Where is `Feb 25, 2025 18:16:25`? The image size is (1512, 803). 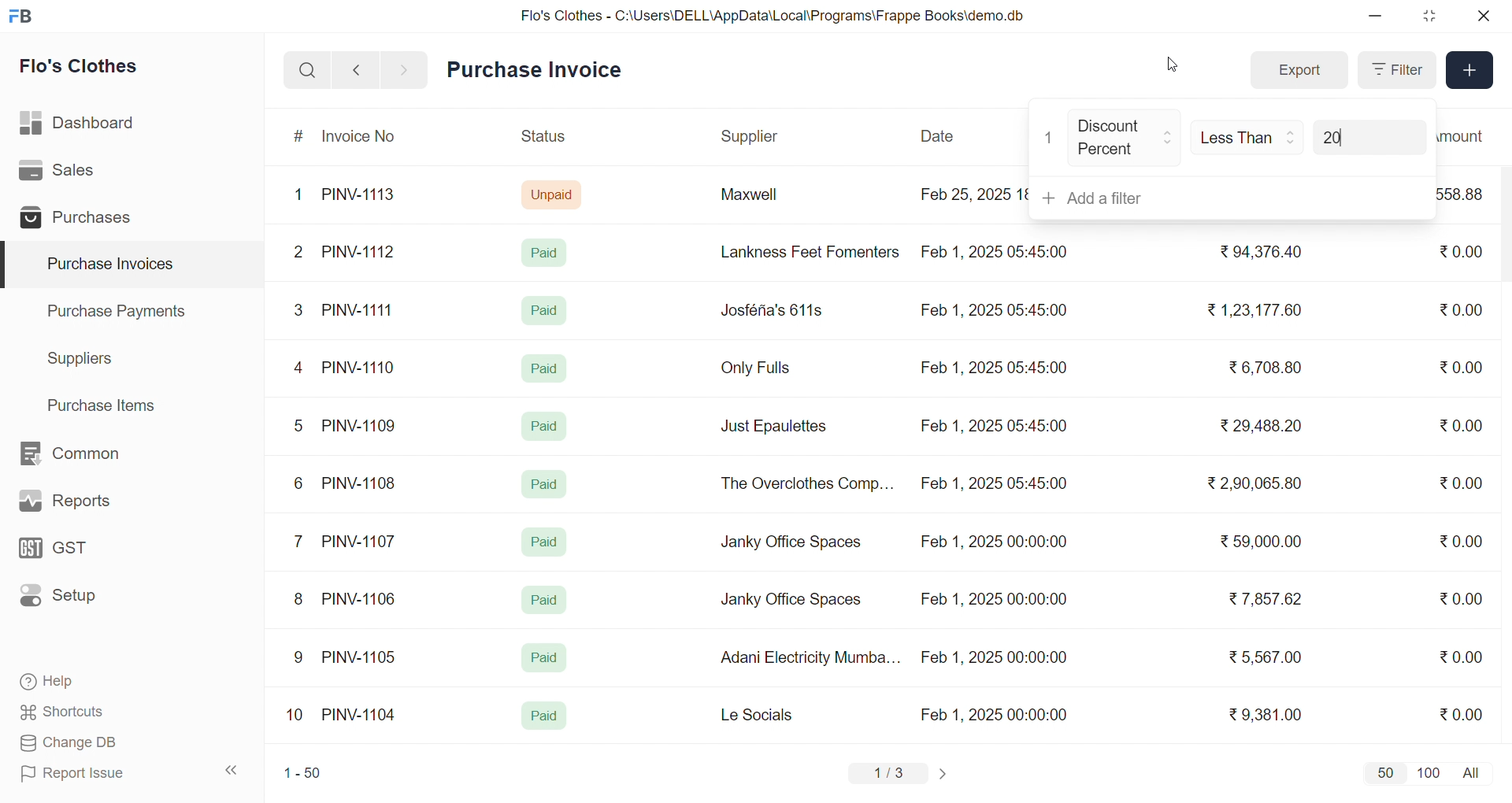 Feb 25, 2025 18:16:25 is located at coordinates (972, 194).